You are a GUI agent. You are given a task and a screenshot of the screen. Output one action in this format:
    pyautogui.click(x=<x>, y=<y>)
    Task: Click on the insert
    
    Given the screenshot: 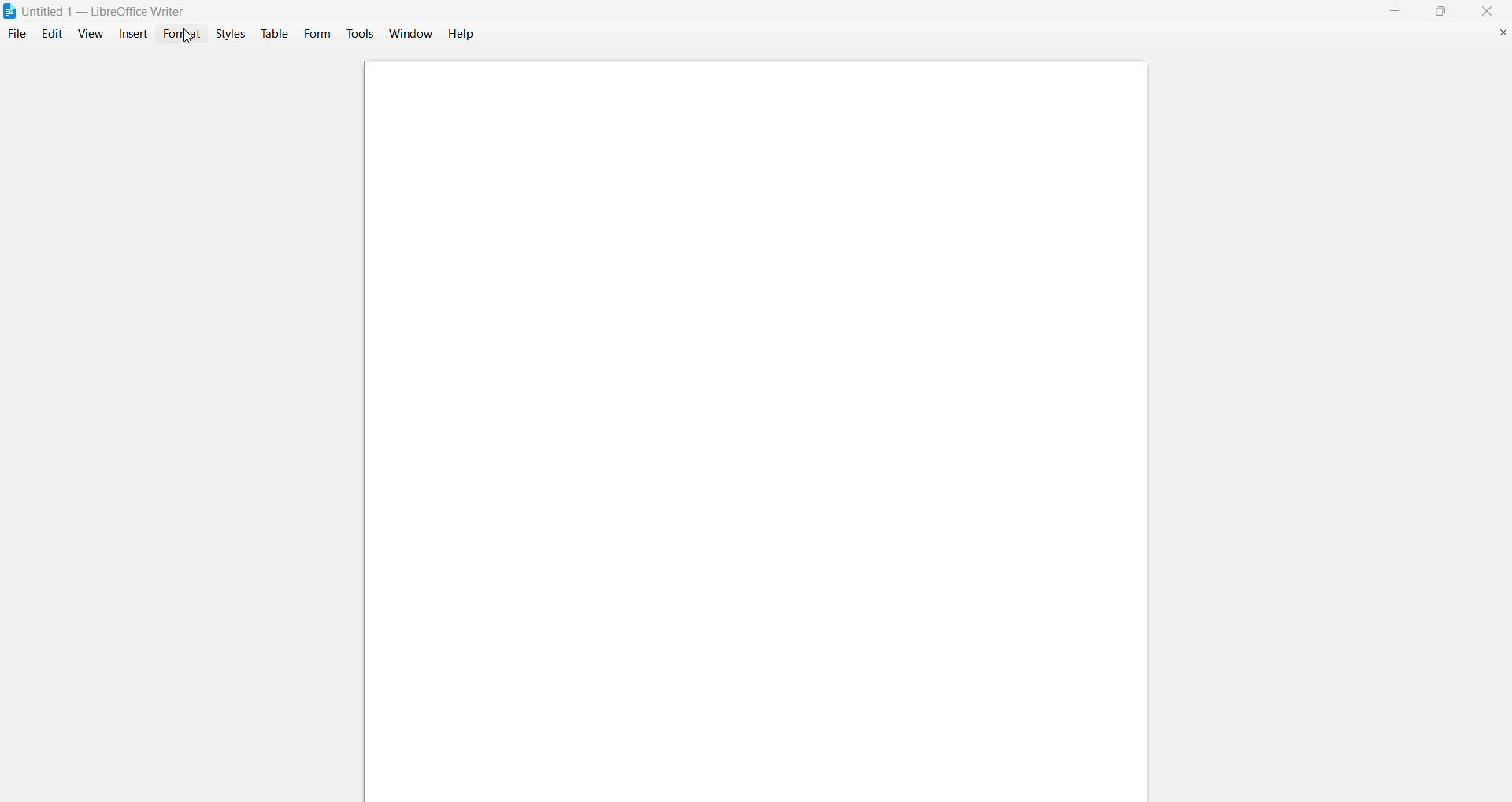 What is the action you would take?
    pyautogui.click(x=132, y=33)
    